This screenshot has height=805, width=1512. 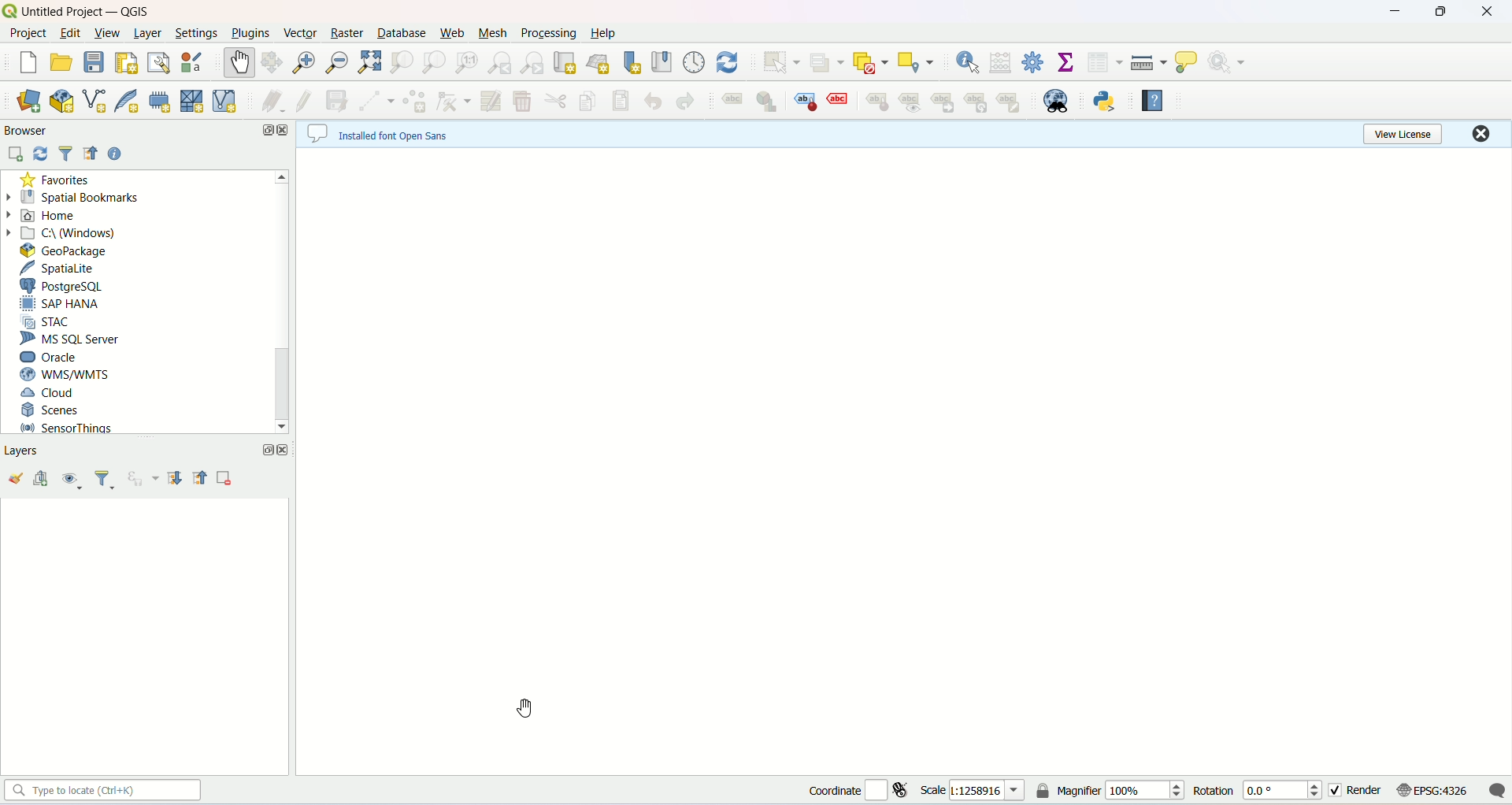 I want to click on metasearch, so click(x=1056, y=101).